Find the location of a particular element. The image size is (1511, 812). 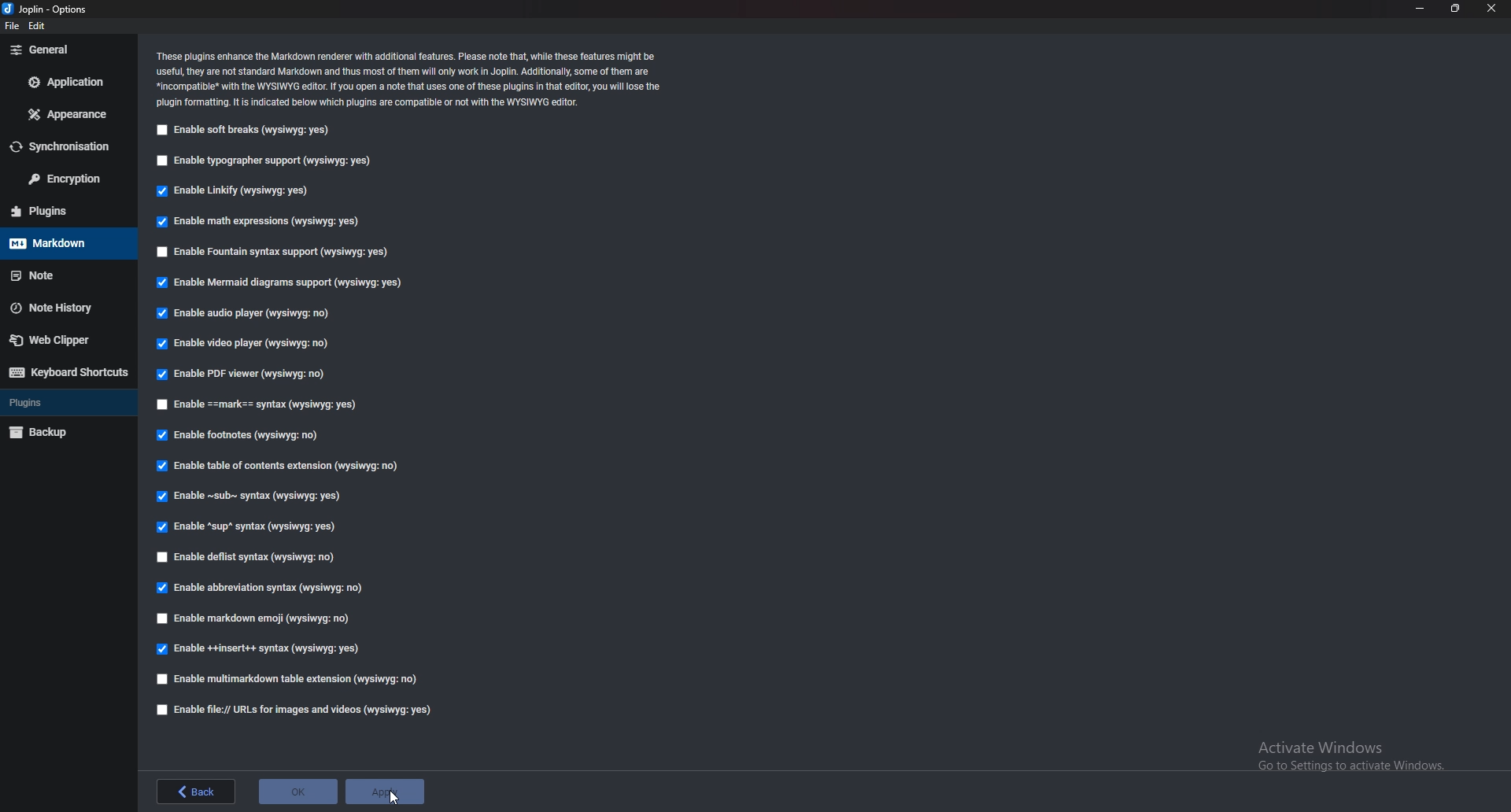

Enable markdown emoji is located at coordinates (257, 620).